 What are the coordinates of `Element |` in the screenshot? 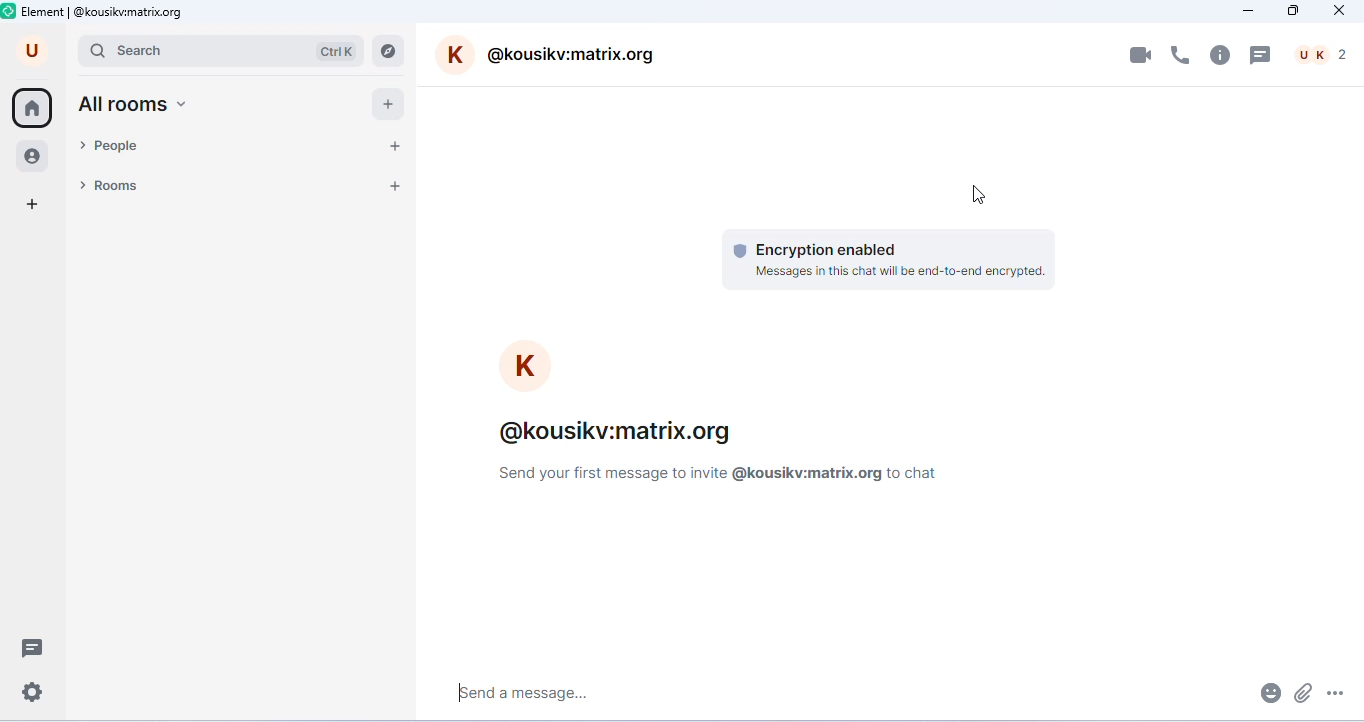 It's located at (36, 12).